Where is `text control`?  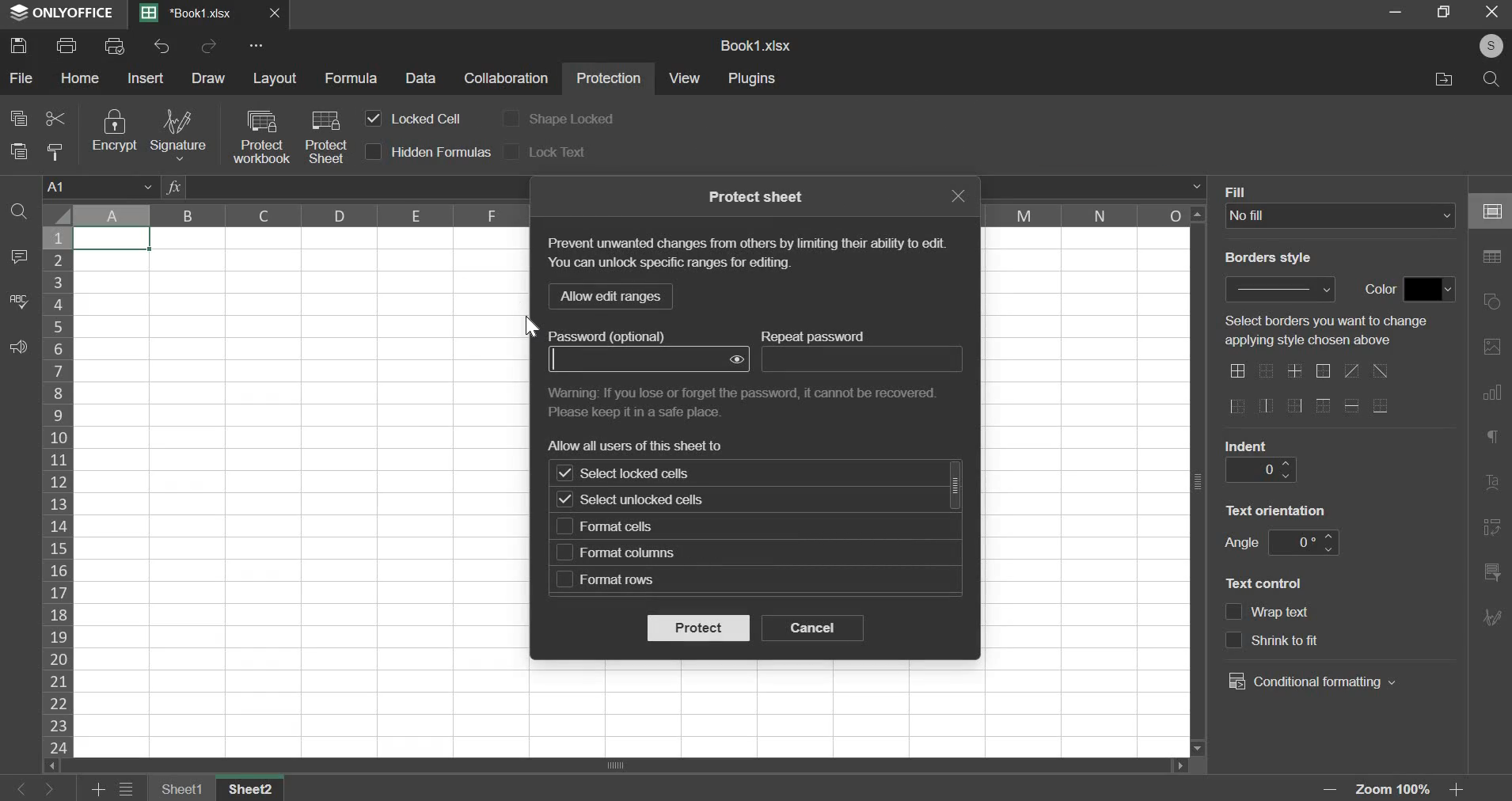 text control is located at coordinates (1311, 640).